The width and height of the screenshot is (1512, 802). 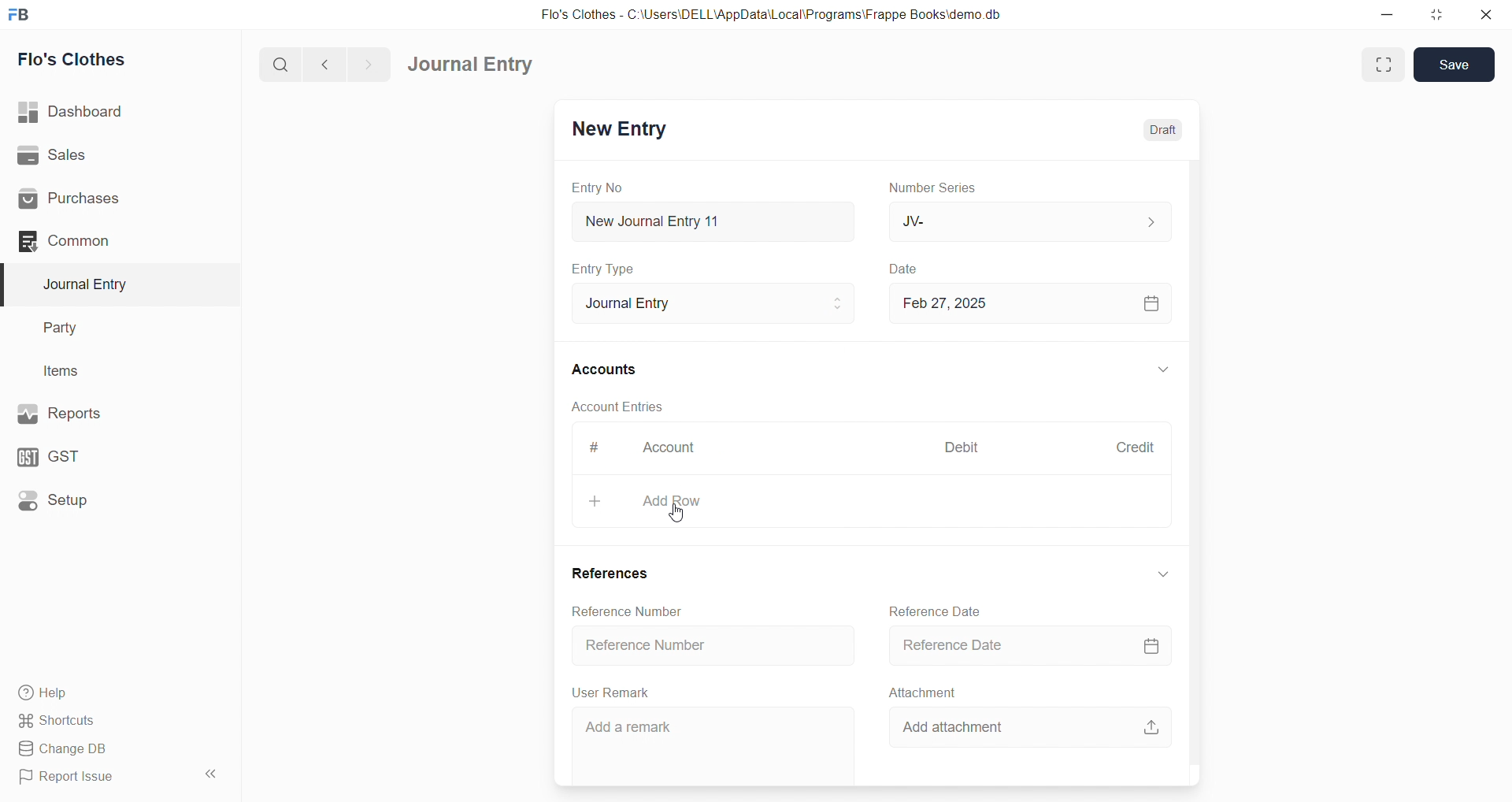 I want to click on cursor, so click(x=681, y=513).